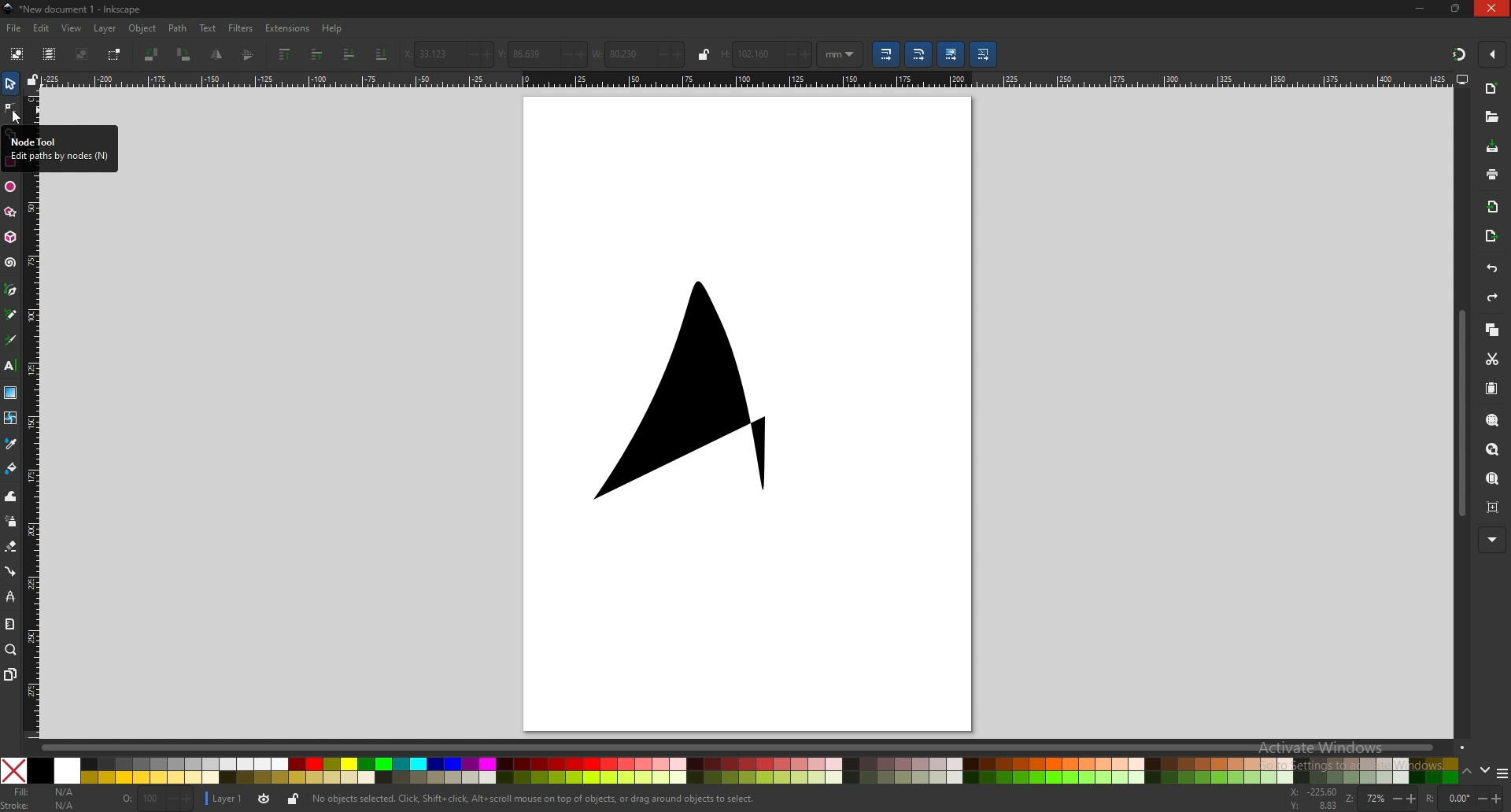 The height and width of the screenshot is (812, 1511). I want to click on lock, so click(703, 55).